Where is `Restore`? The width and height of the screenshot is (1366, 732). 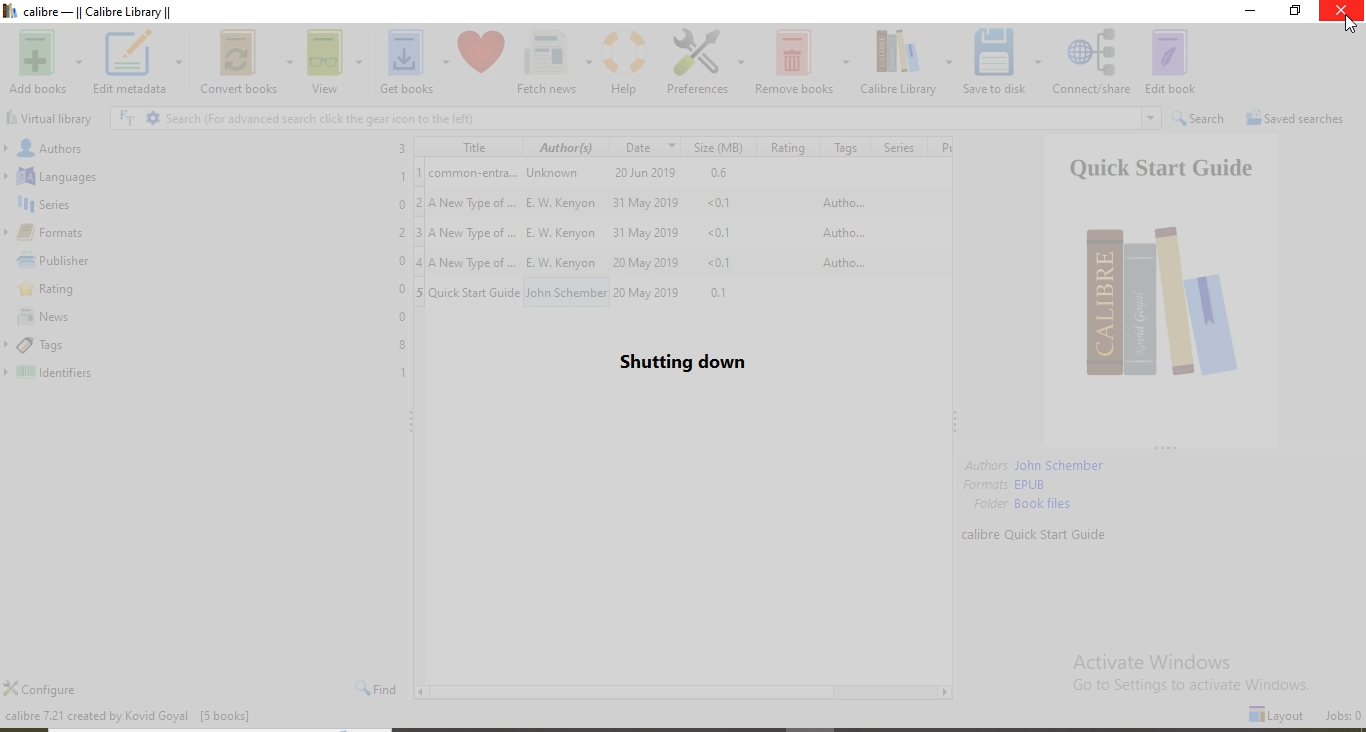 Restore is located at coordinates (1297, 10).